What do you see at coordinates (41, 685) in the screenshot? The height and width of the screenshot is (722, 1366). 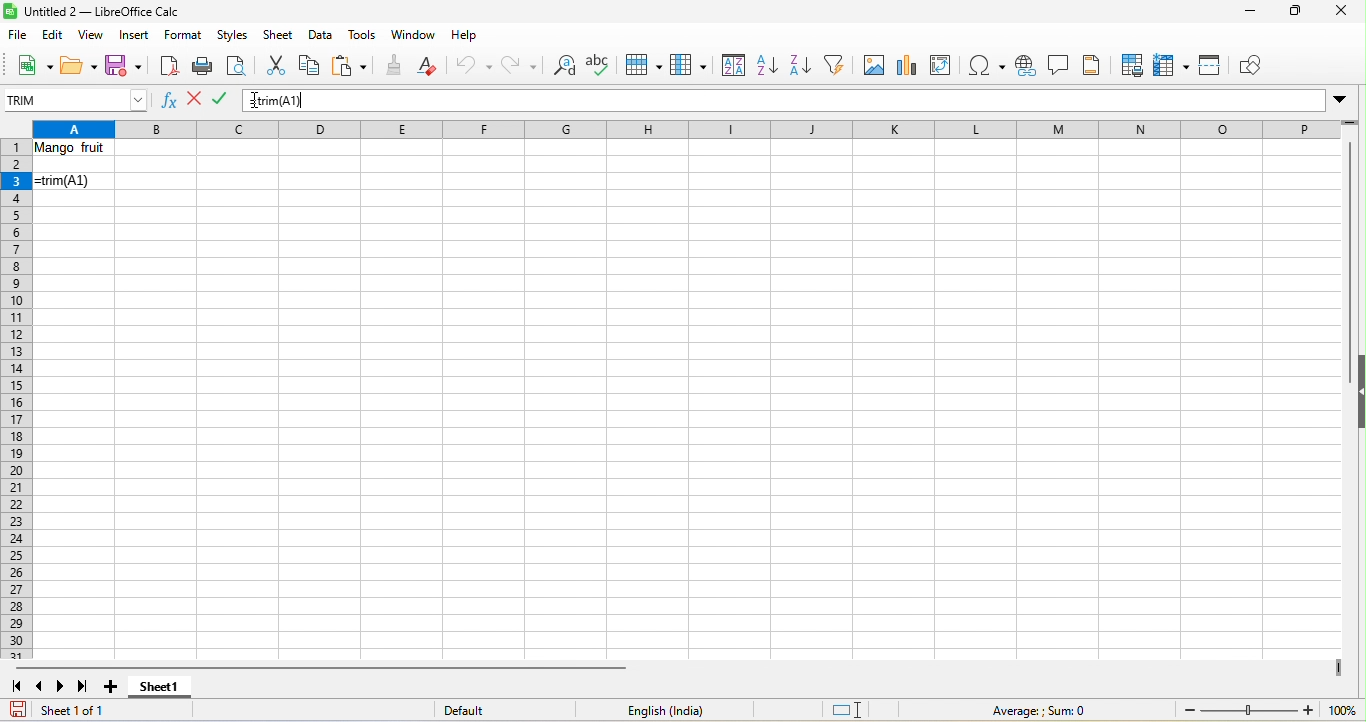 I see `scroll to previous sheet` at bounding box center [41, 685].